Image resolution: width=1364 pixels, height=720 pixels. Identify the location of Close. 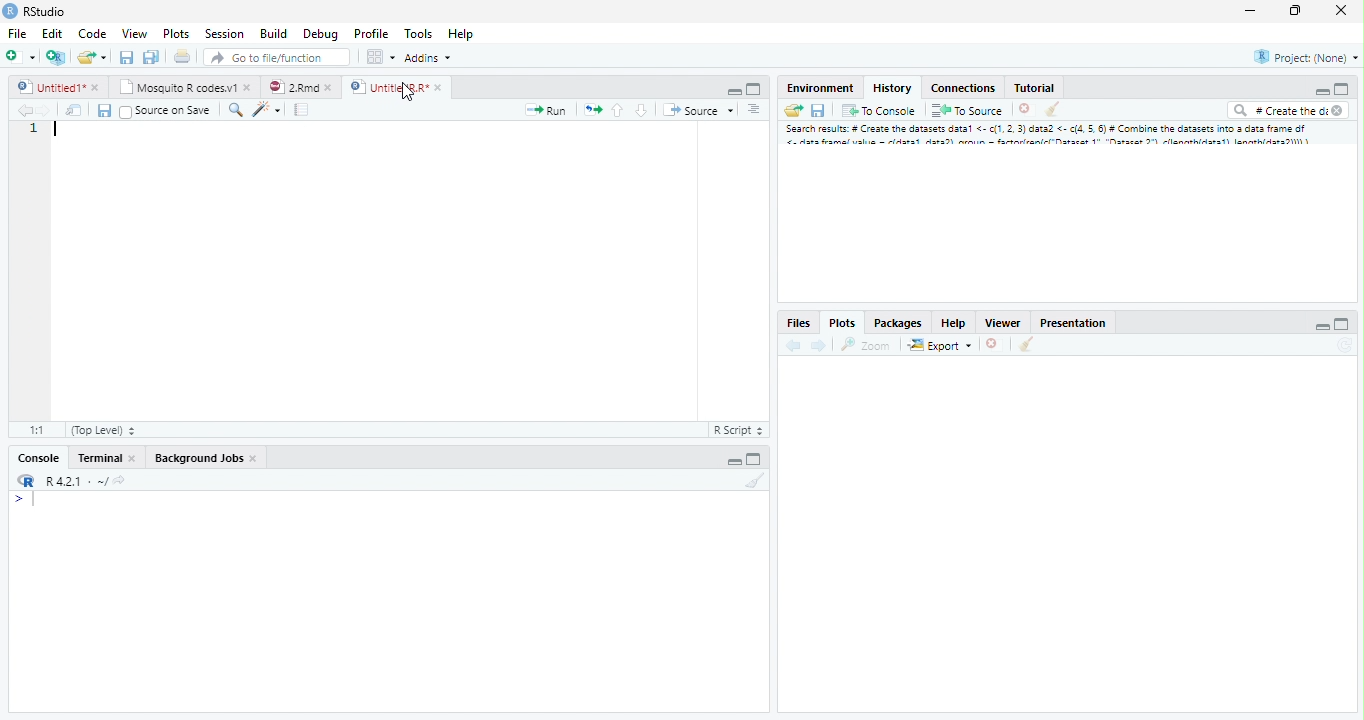
(1339, 10).